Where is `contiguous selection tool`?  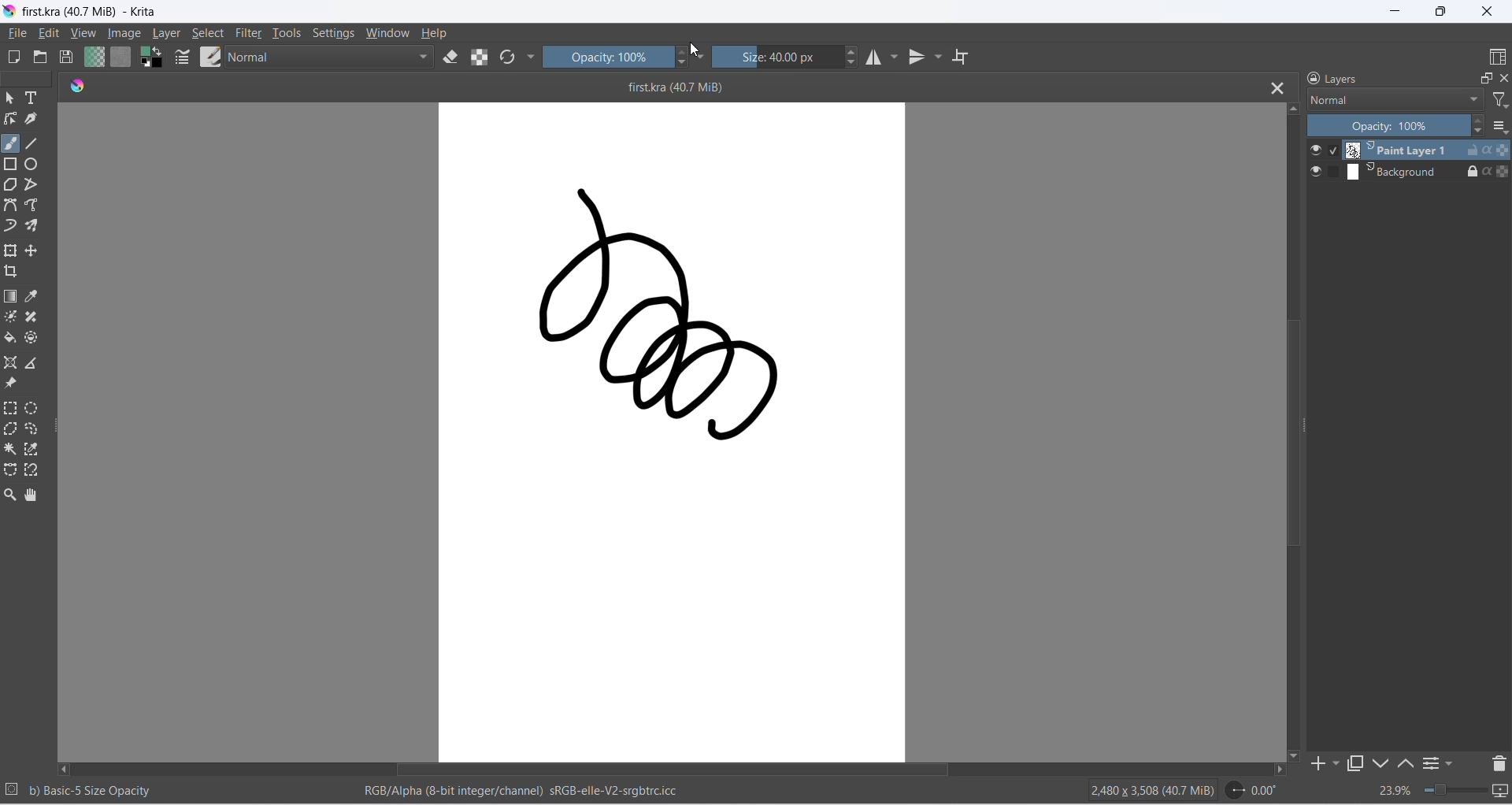 contiguous selection tool is located at coordinates (10, 449).